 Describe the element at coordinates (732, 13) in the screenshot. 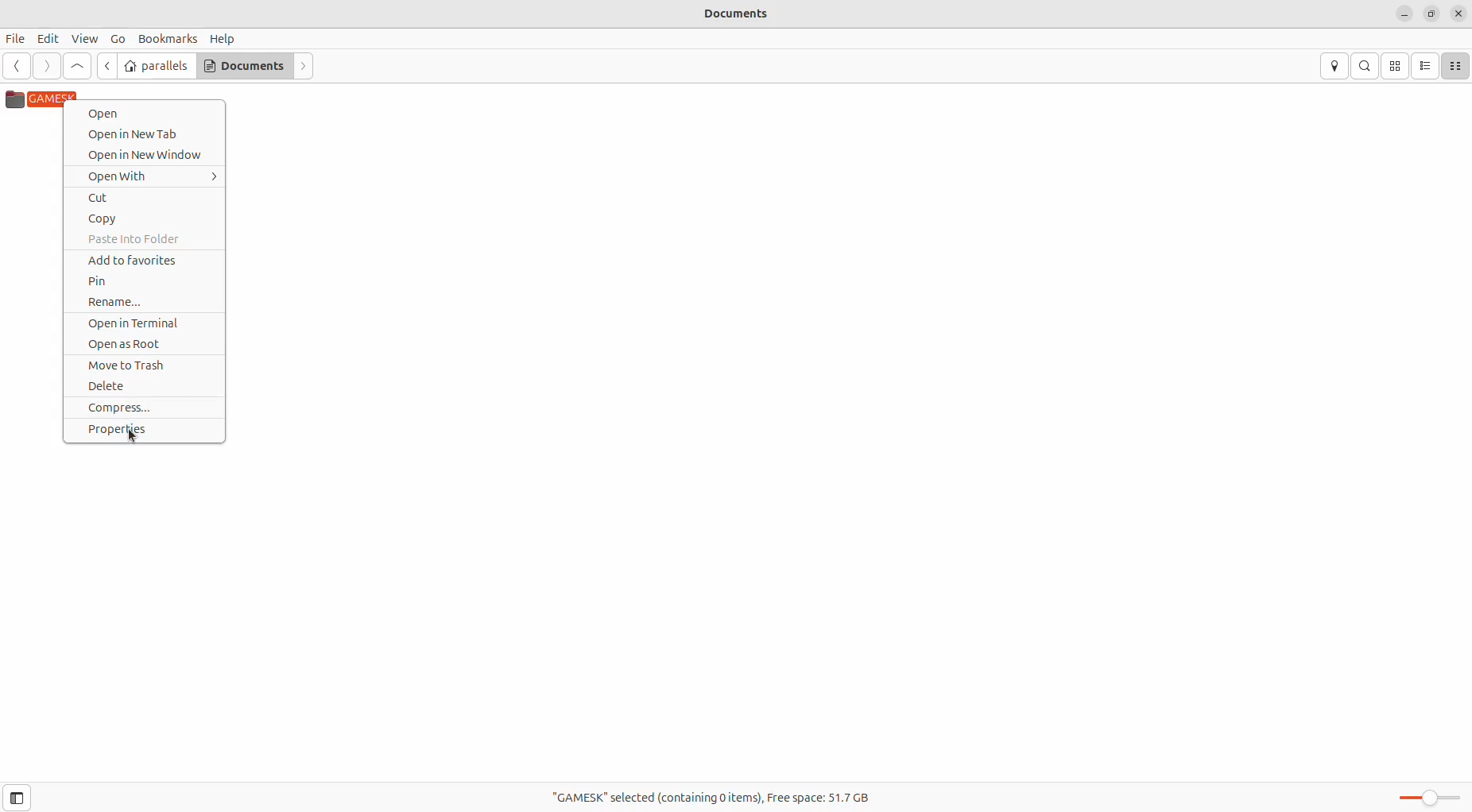

I see `Documents` at that location.